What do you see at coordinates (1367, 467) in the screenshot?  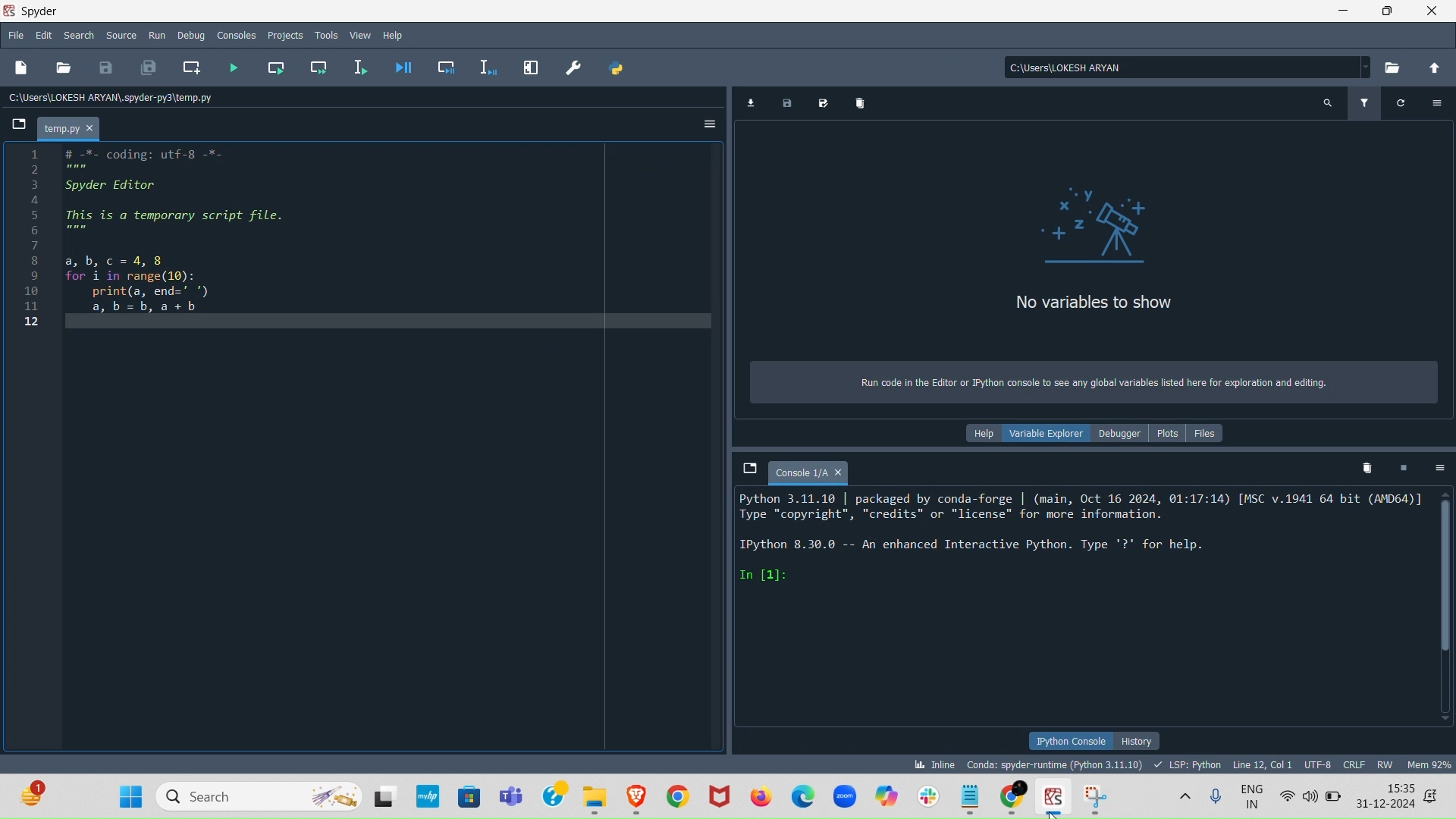 I see `Remove all variables from namespace` at bounding box center [1367, 467].